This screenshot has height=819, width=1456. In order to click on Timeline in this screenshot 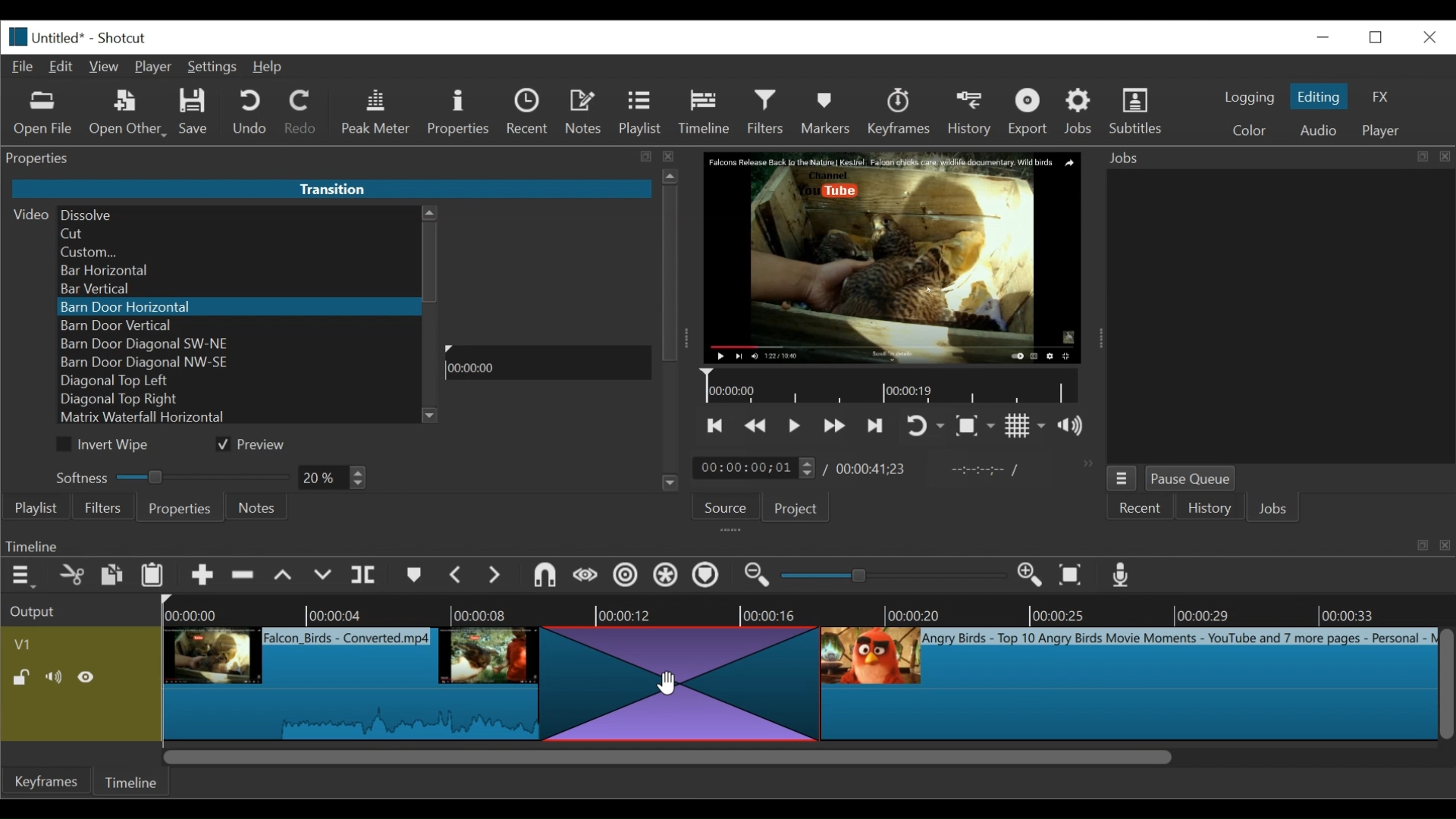, I will do `click(893, 386)`.